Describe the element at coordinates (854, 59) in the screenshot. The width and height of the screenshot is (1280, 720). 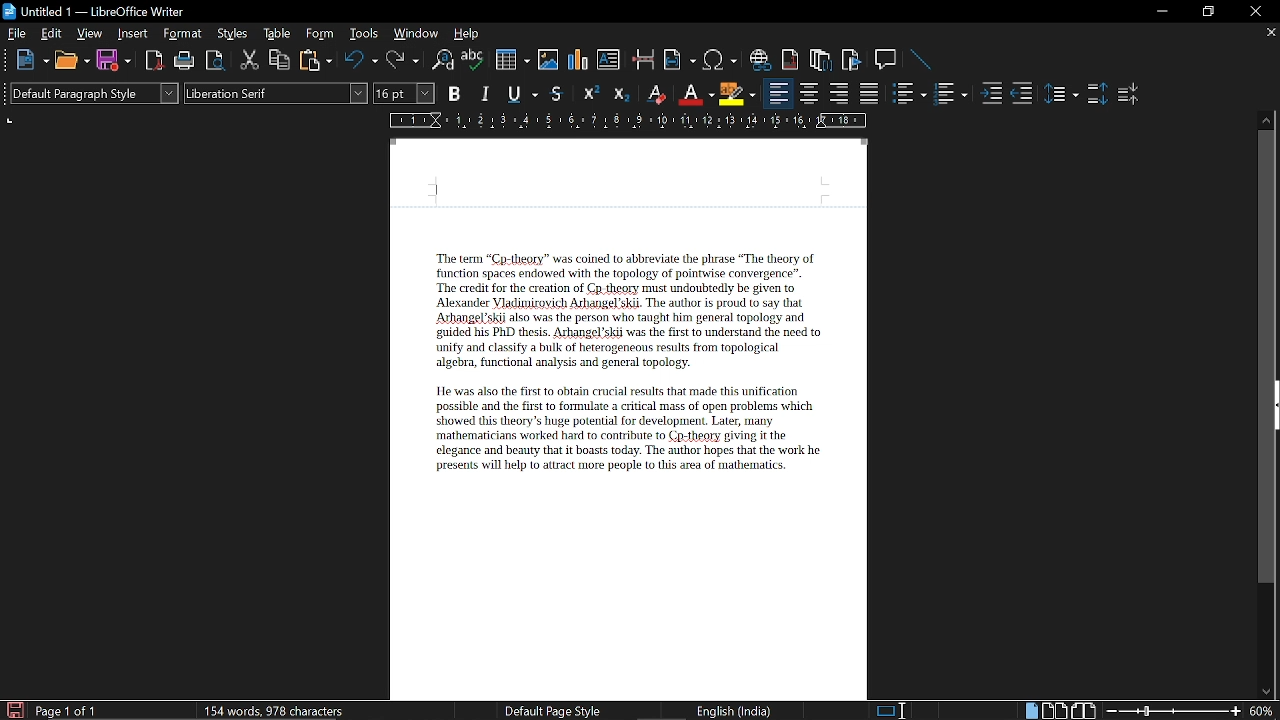
I see `Insert bibliography` at that location.